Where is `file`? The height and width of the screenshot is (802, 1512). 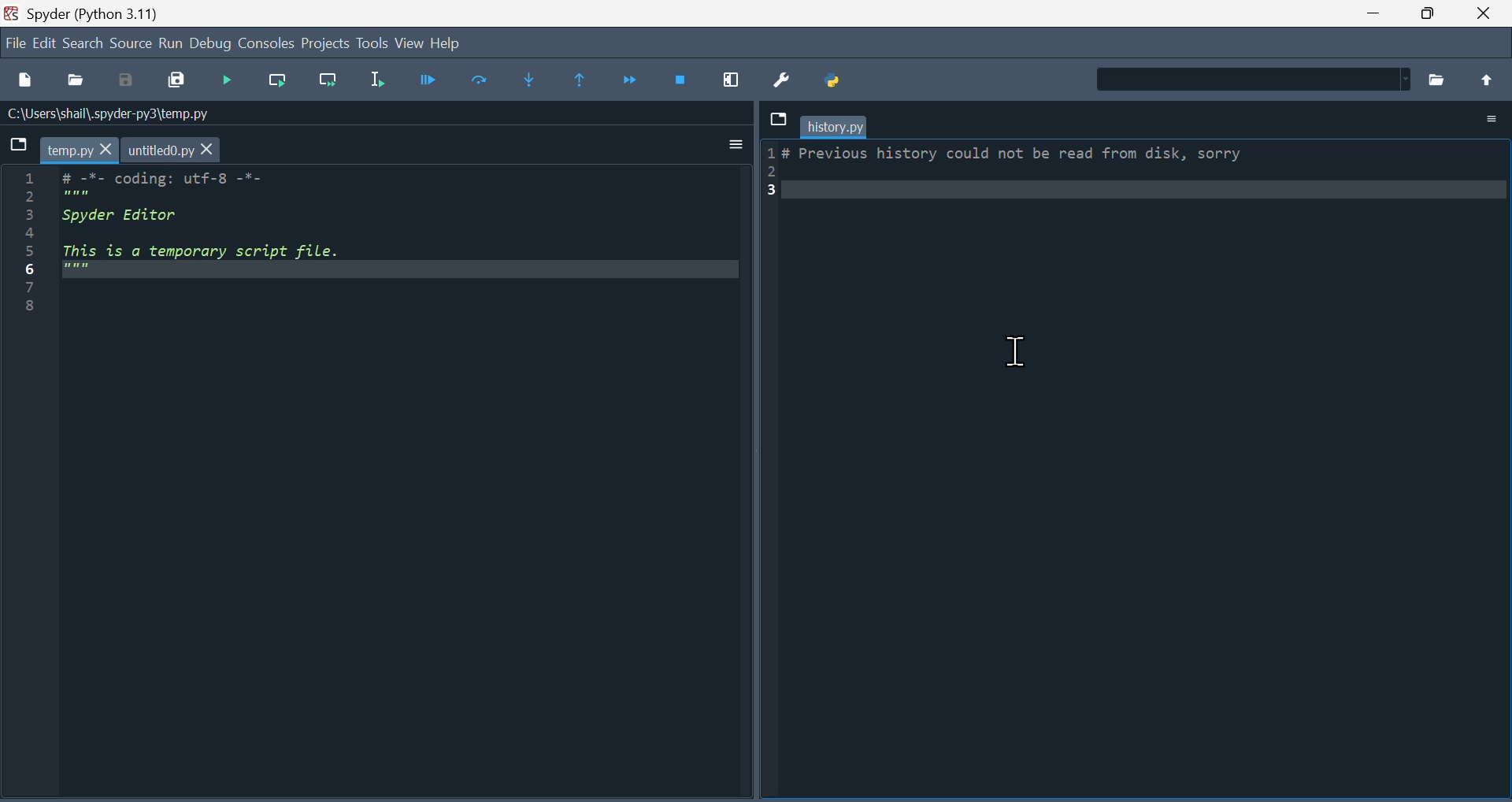 file is located at coordinates (15, 39).